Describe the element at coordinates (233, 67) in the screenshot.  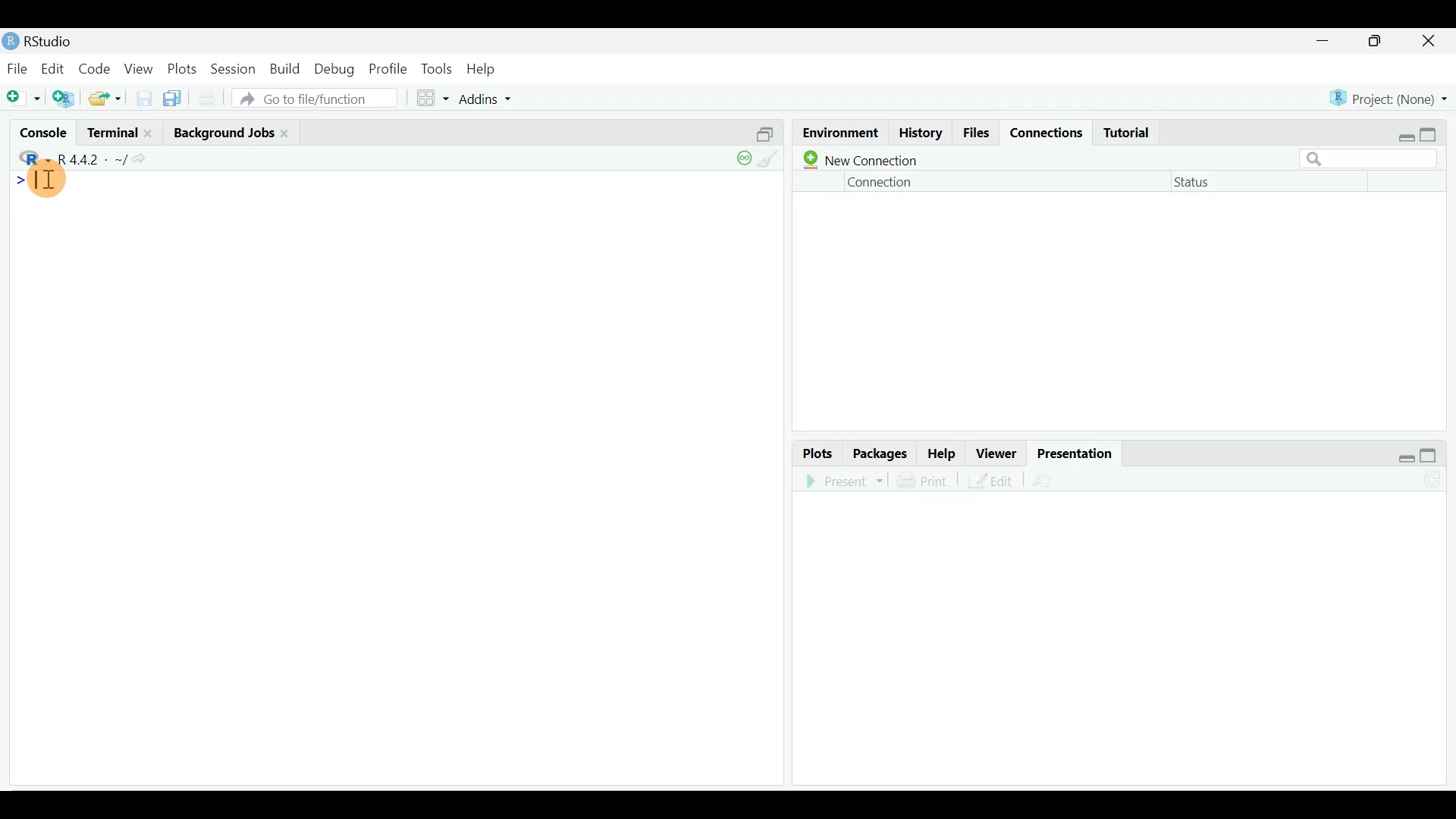
I see `Session` at that location.